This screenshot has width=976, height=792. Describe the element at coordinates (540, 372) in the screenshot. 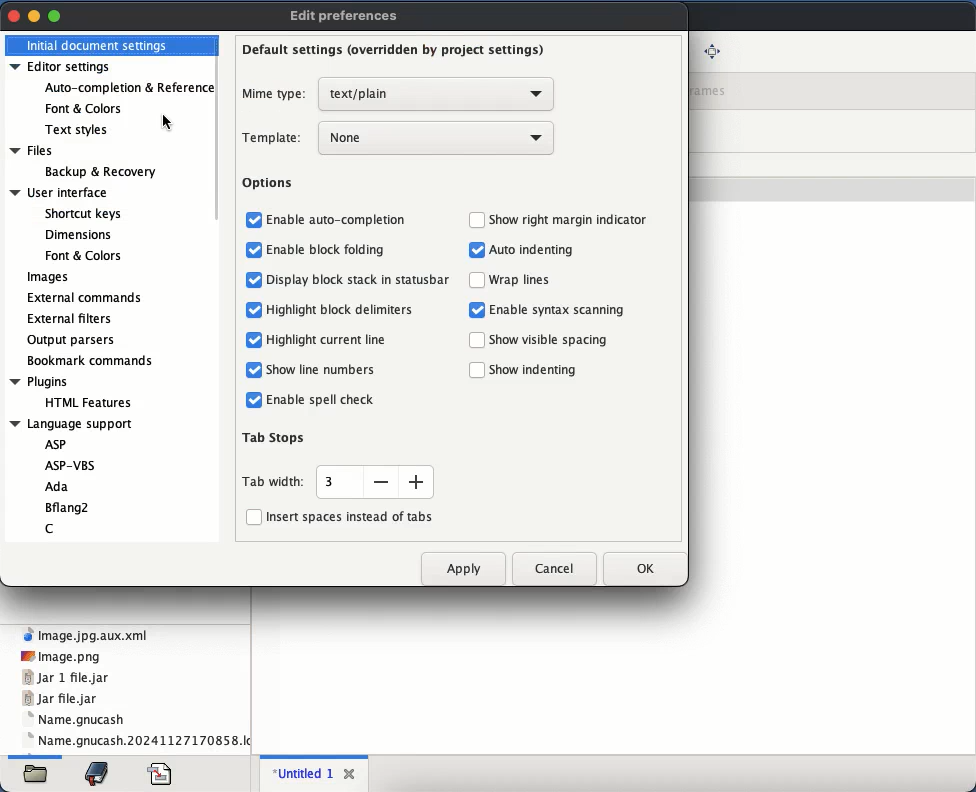

I see `Show indenting` at that location.